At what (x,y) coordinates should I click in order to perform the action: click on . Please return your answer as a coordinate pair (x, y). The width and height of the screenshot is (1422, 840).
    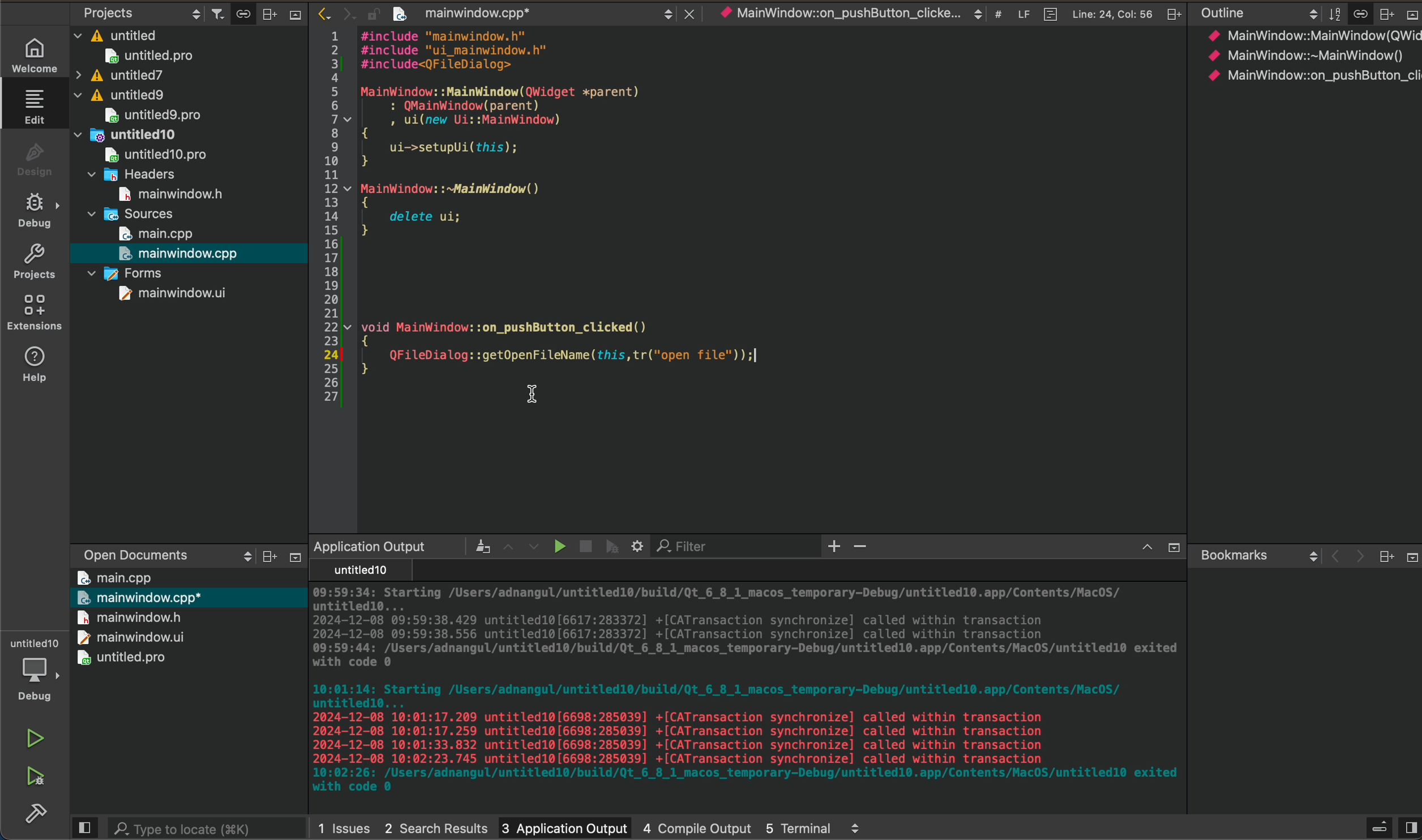
    Looking at the image, I should click on (474, 546).